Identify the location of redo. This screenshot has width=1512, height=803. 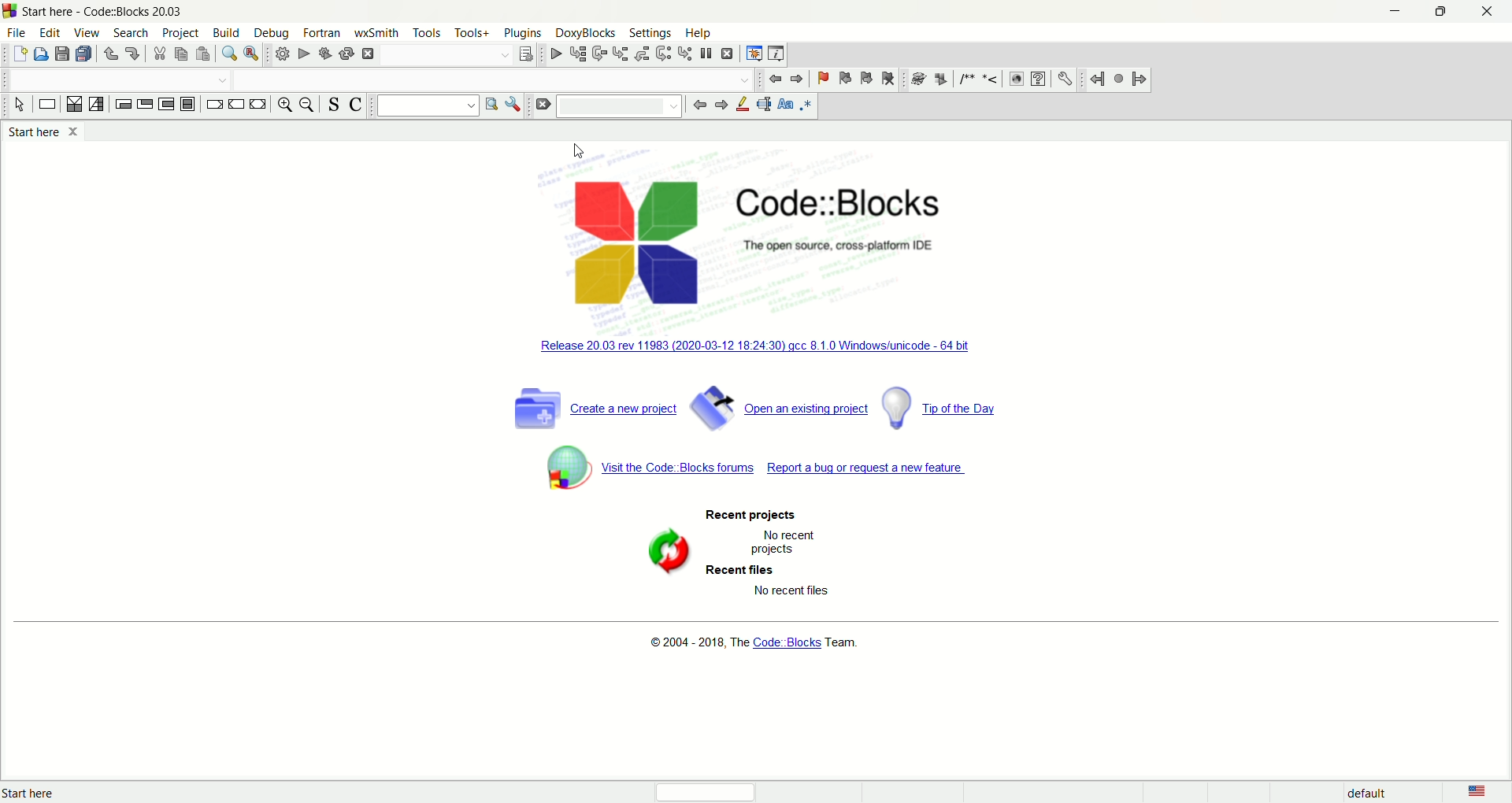
(134, 53).